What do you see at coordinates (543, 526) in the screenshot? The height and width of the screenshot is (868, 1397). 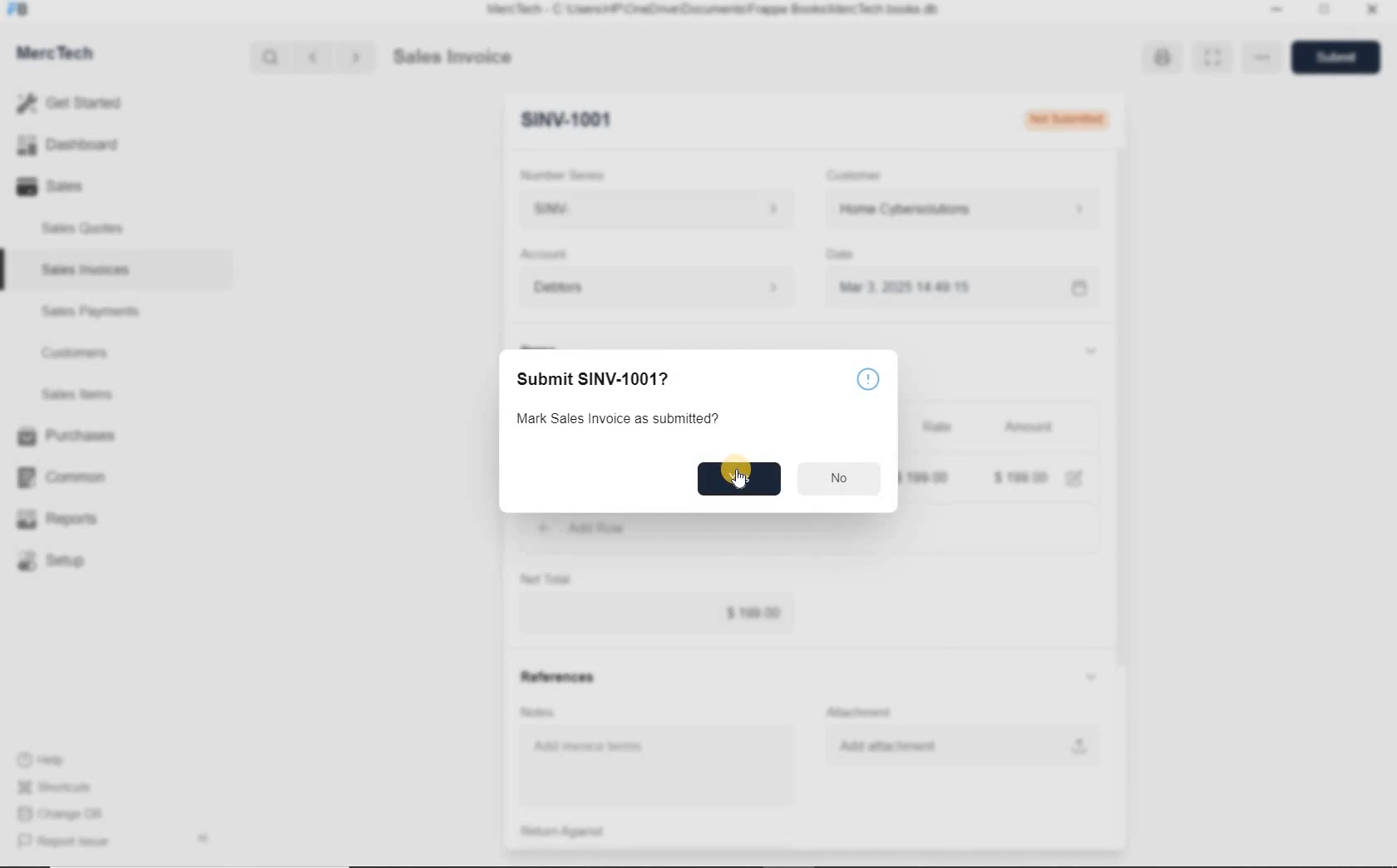 I see `plus` at bounding box center [543, 526].